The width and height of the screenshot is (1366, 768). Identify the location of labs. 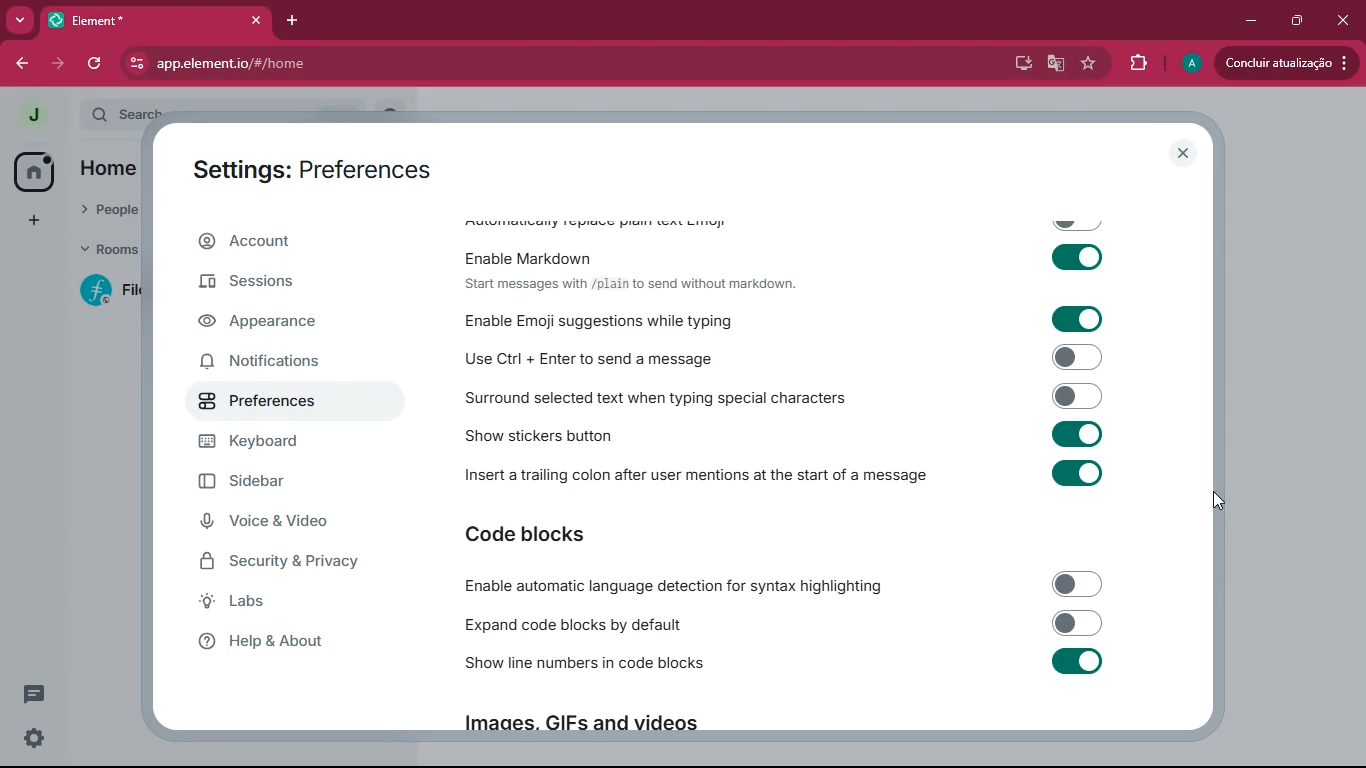
(277, 604).